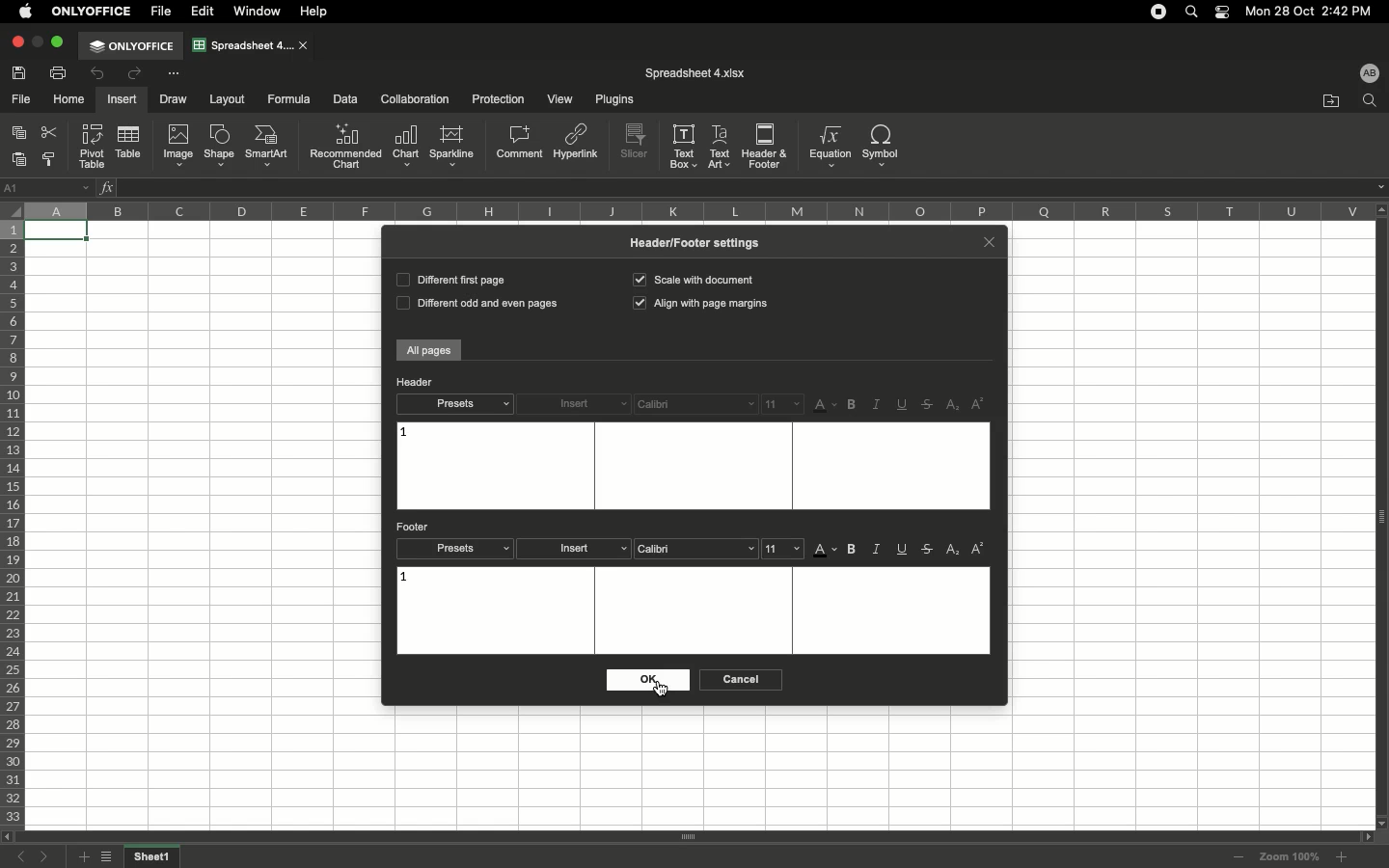 The height and width of the screenshot is (868, 1389). Describe the element at coordinates (126, 144) in the screenshot. I see `Table` at that location.